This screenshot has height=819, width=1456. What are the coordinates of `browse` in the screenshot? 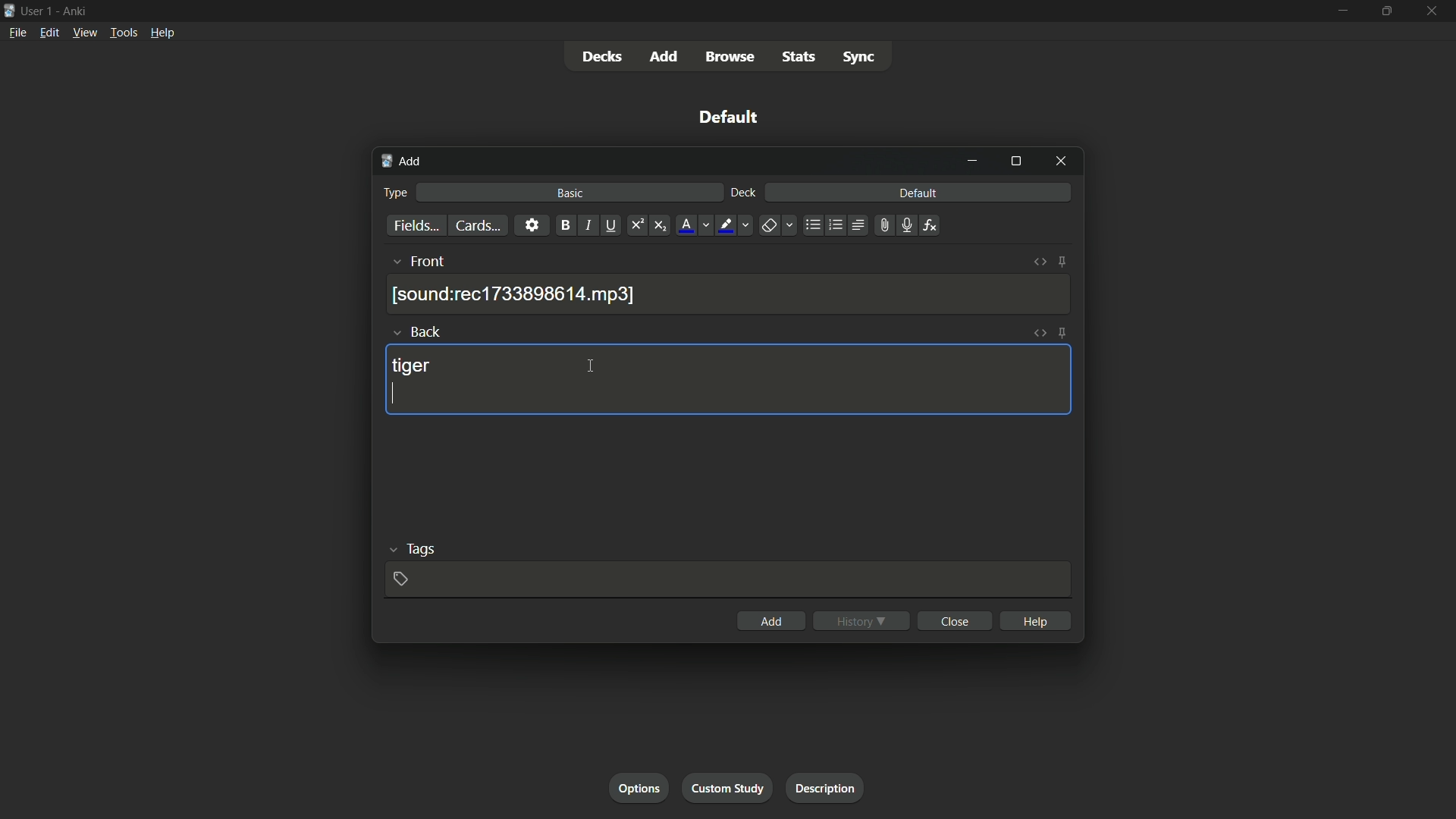 It's located at (733, 57).